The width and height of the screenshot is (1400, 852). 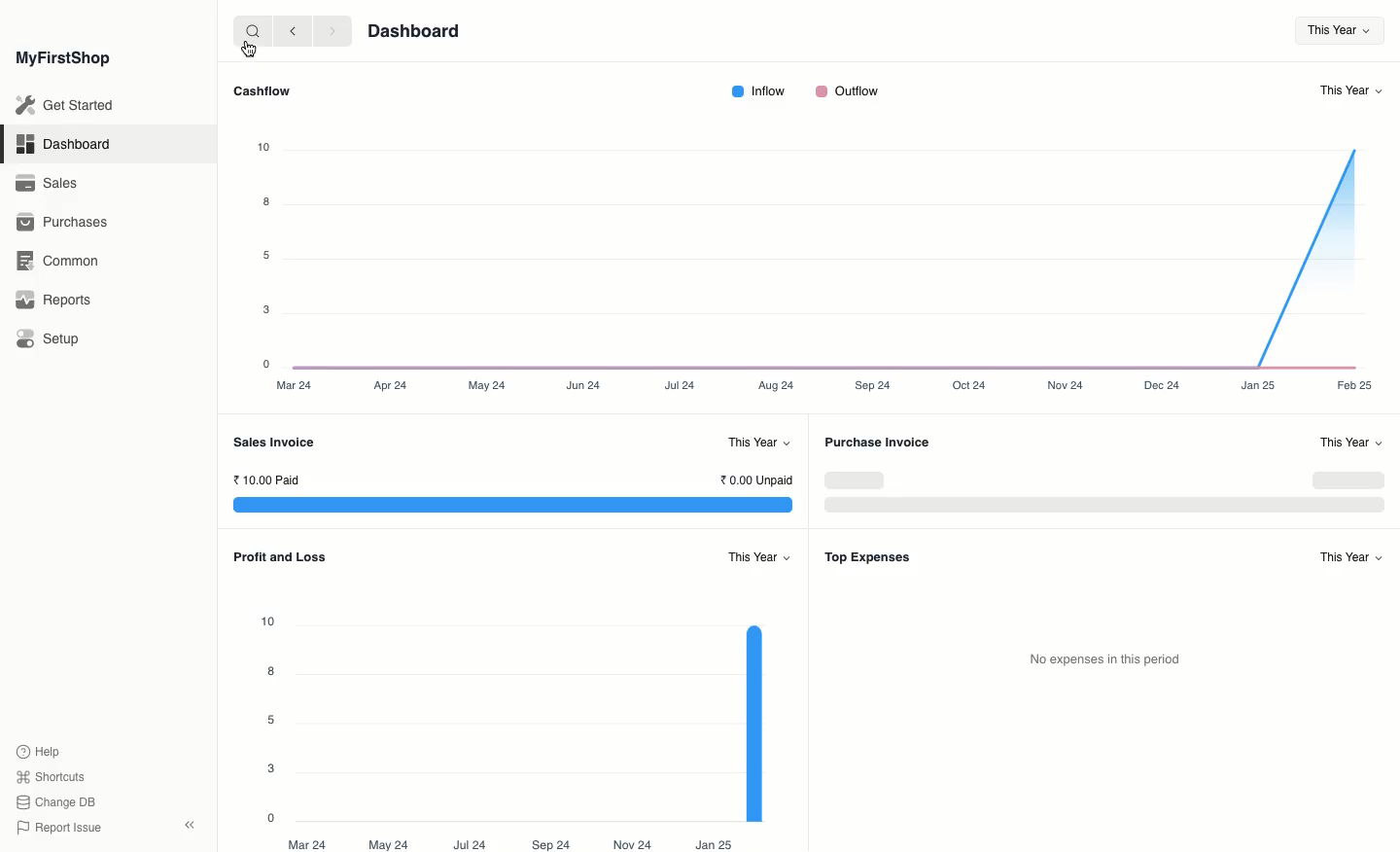 What do you see at coordinates (1345, 558) in the screenshot?
I see `This Year` at bounding box center [1345, 558].